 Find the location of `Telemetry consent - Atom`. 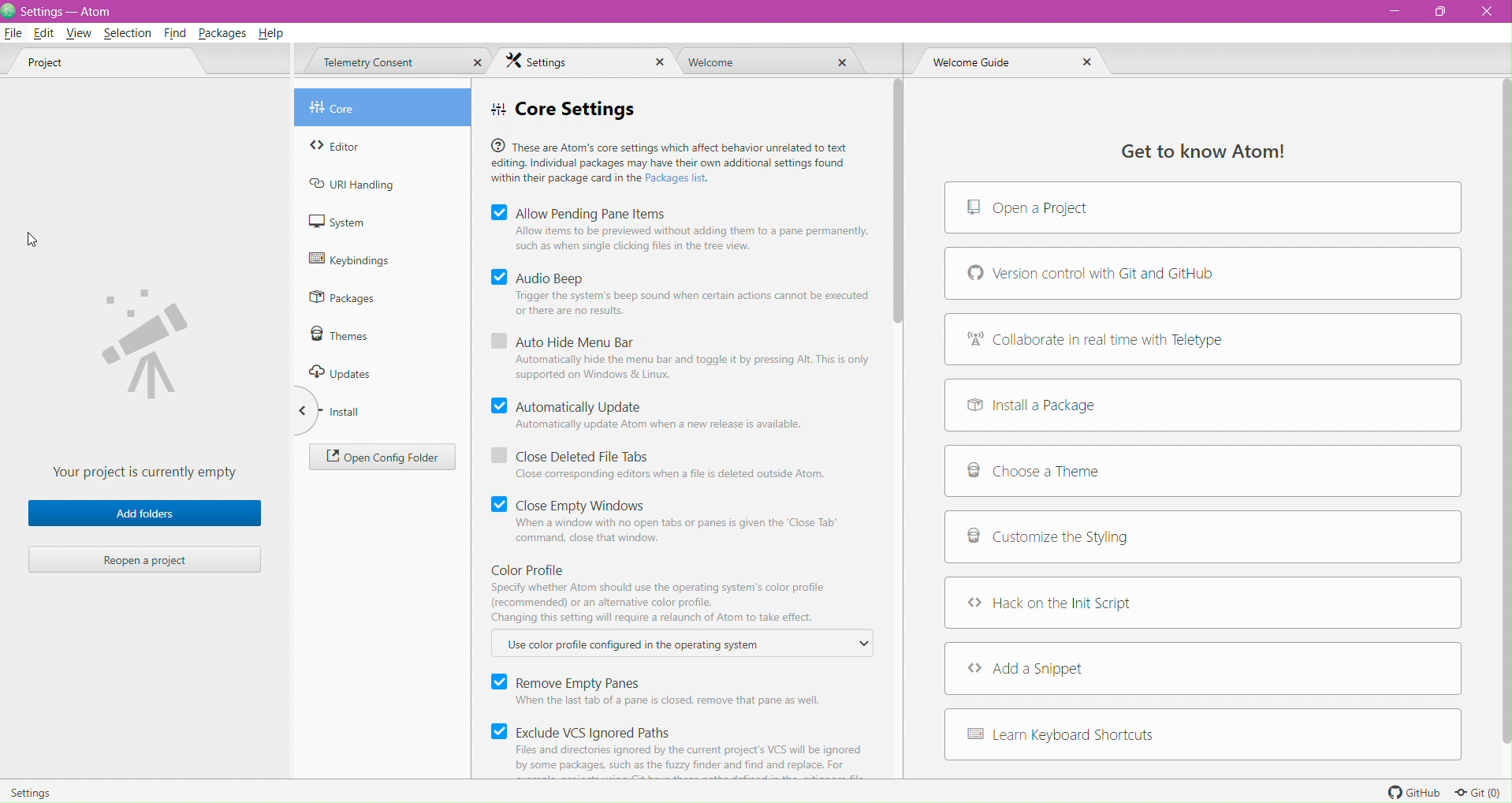

Telemetry consent - Atom is located at coordinates (102, 11).